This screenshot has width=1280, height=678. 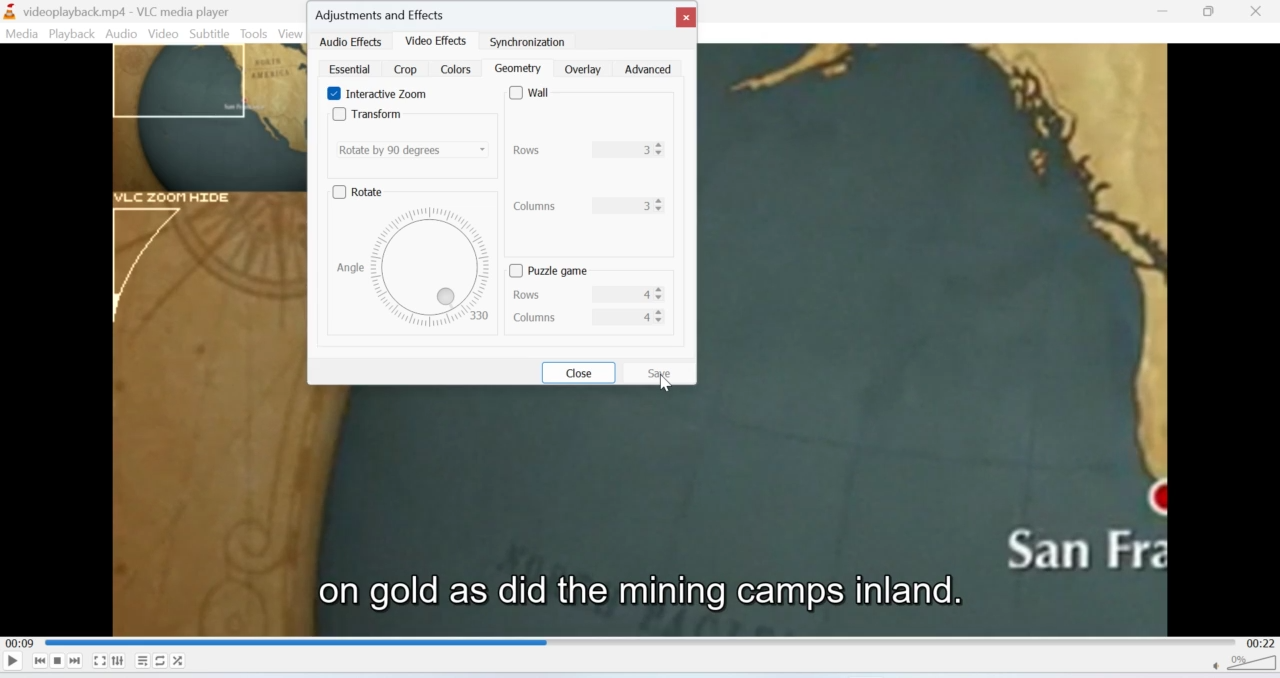 I want to click on Stop, so click(x=58, y=661).